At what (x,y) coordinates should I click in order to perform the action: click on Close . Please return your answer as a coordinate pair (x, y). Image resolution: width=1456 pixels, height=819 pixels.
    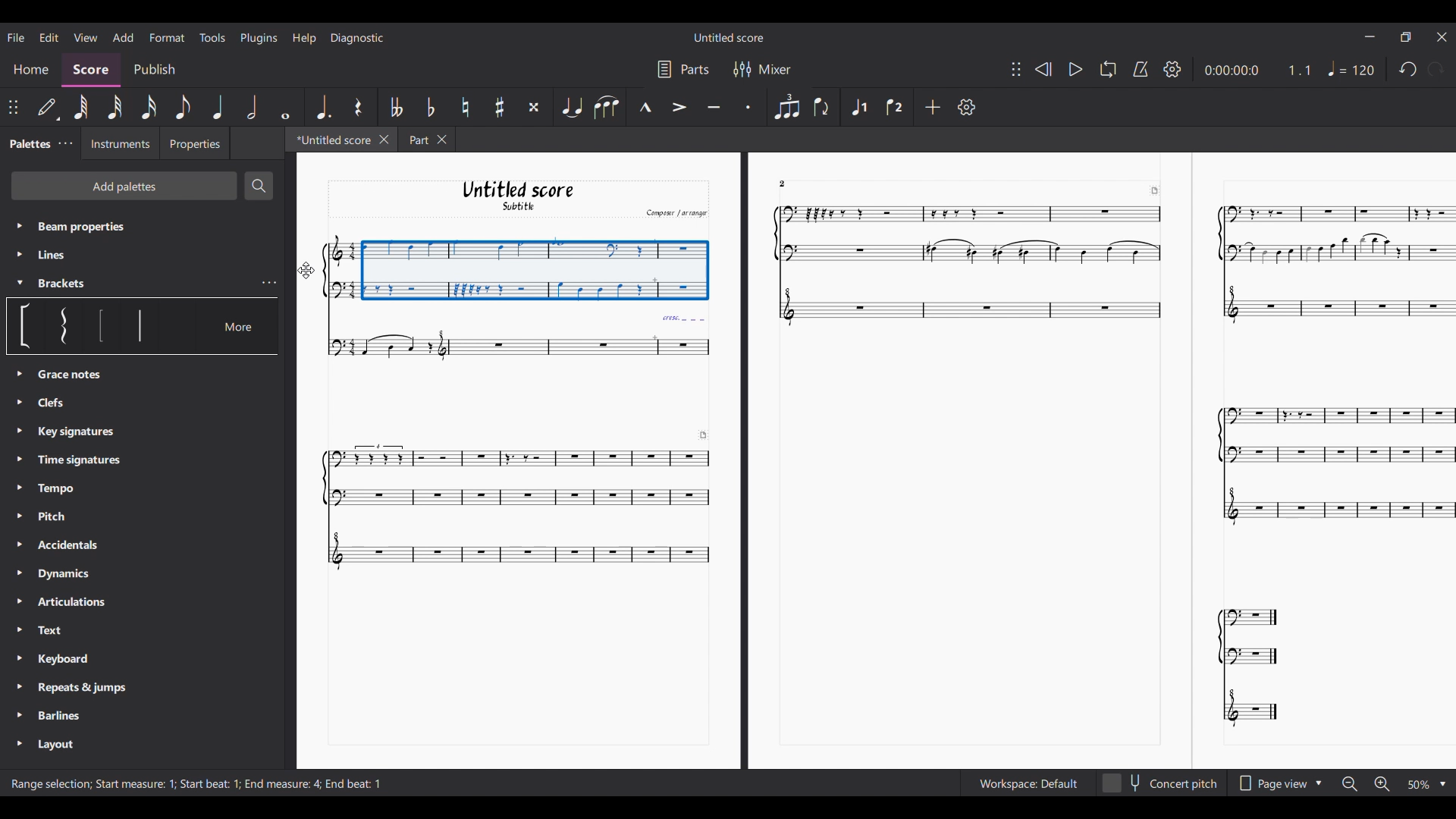
    Looking at the image, I should click on (1442, 36).